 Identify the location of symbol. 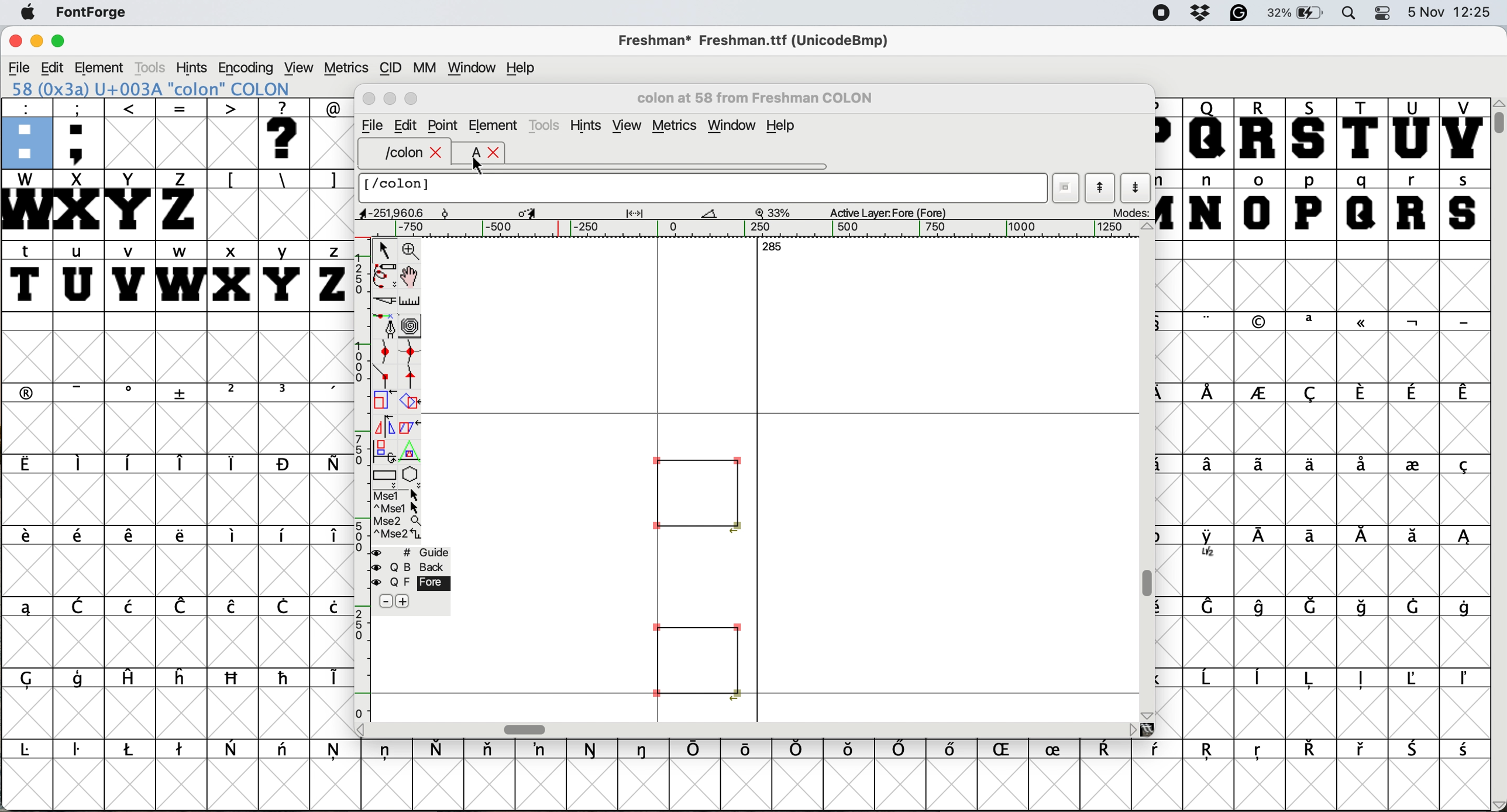
(1466, 680).